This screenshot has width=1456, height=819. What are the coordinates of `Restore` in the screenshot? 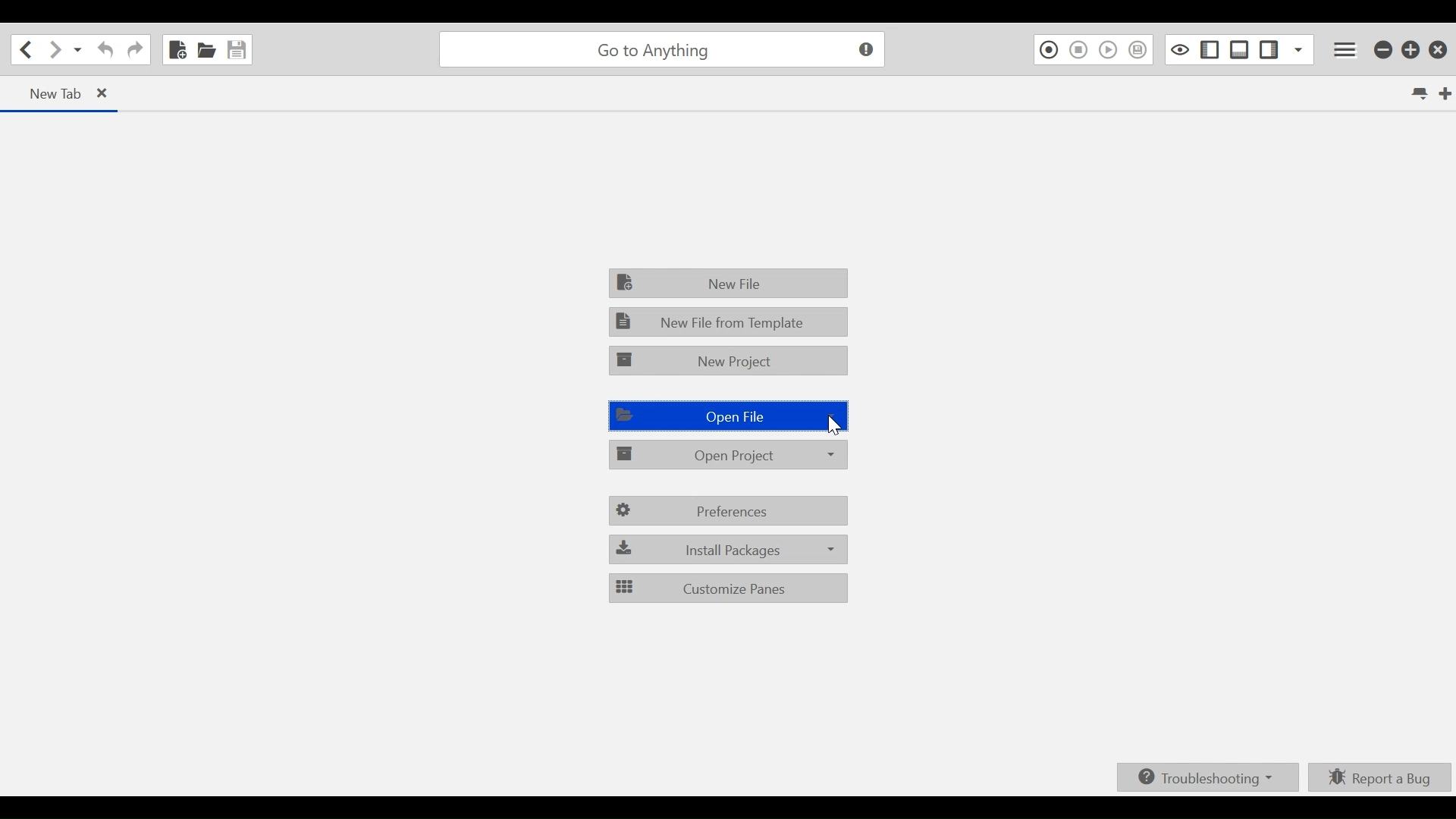 It's located at (1412, 51).